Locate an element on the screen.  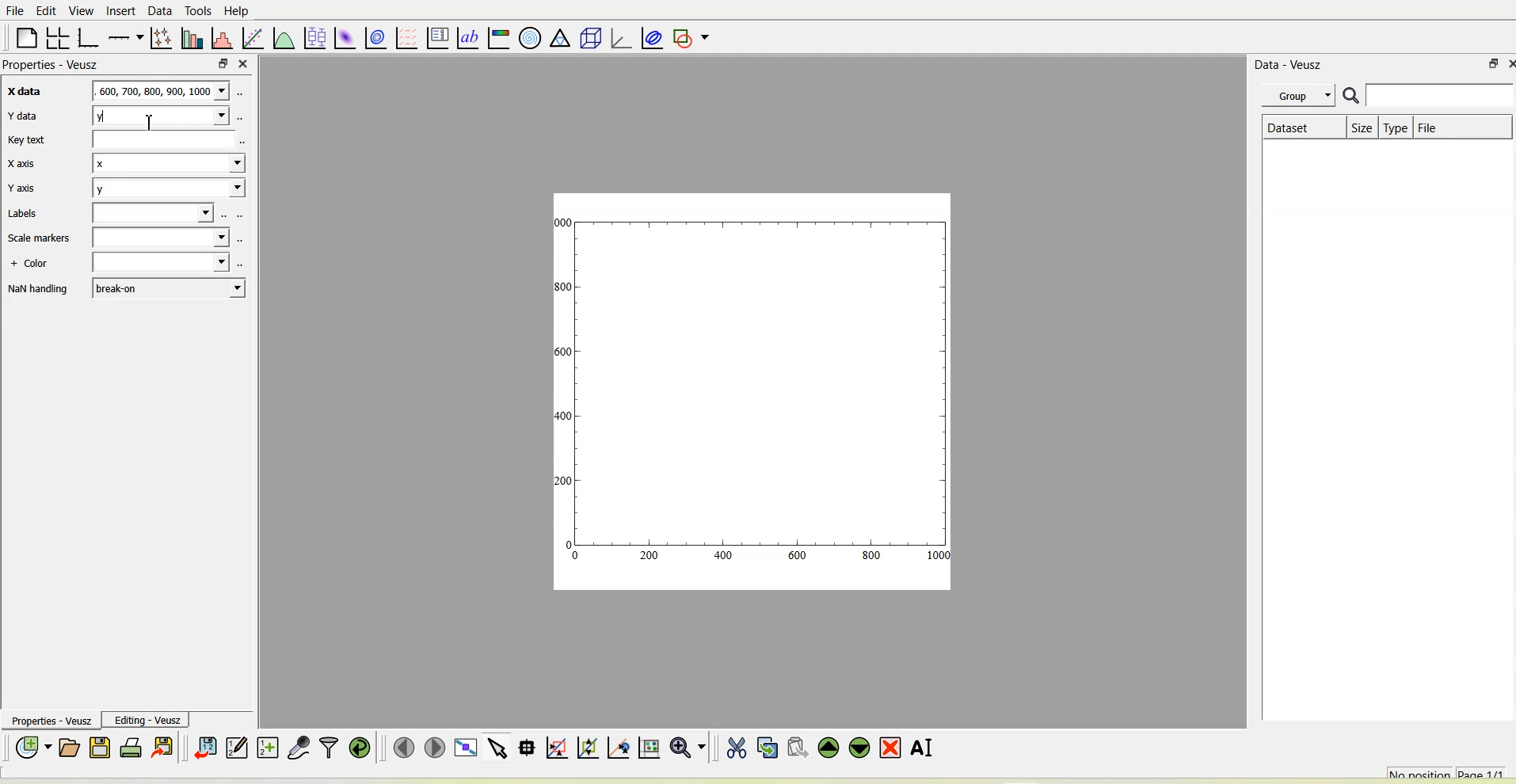
600 is located at coordinates (799, 555).